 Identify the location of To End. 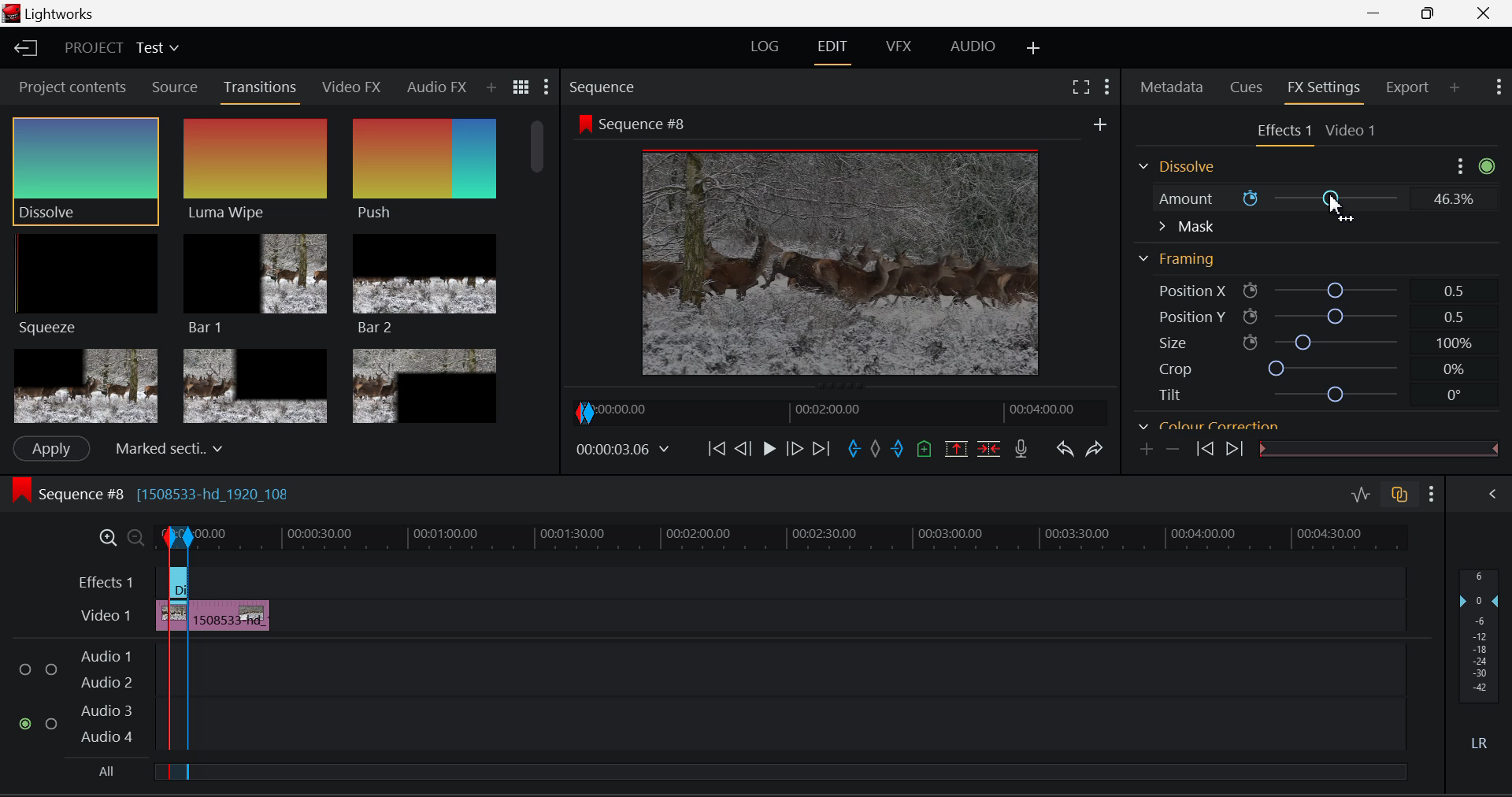
(822, 451).